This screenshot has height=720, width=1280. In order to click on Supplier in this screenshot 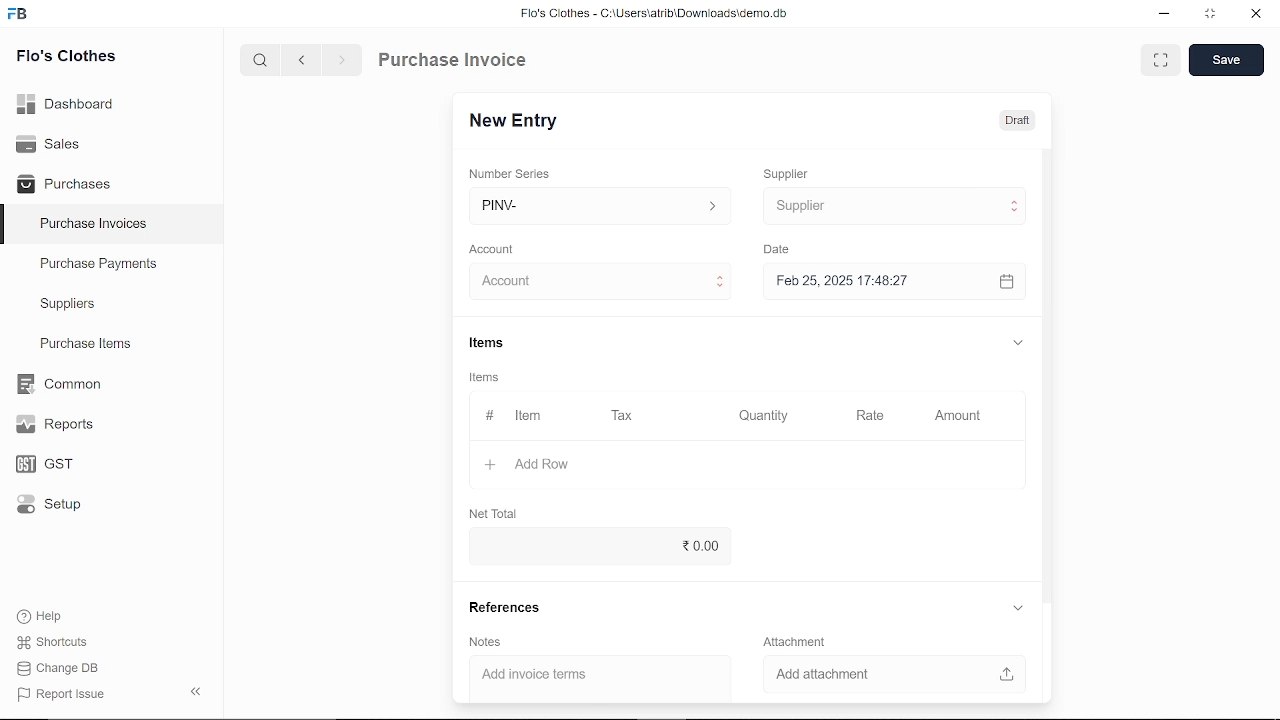, I will do `click(797, 172)`.